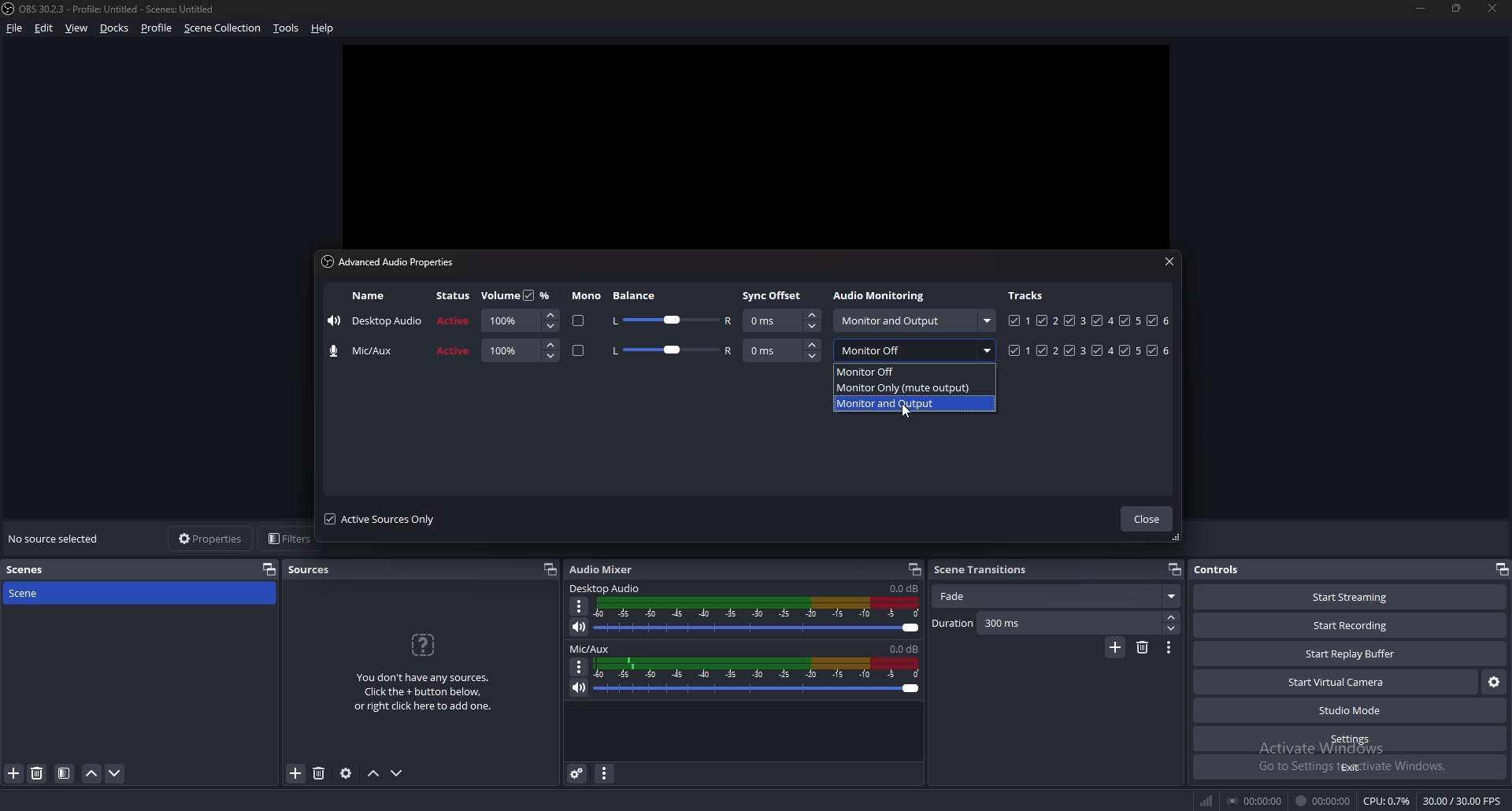 This screenshot has width=1512, height=811. Describe the element at coordinates (880, 294) in the screenshot. I see `audio monitoring` at that location.